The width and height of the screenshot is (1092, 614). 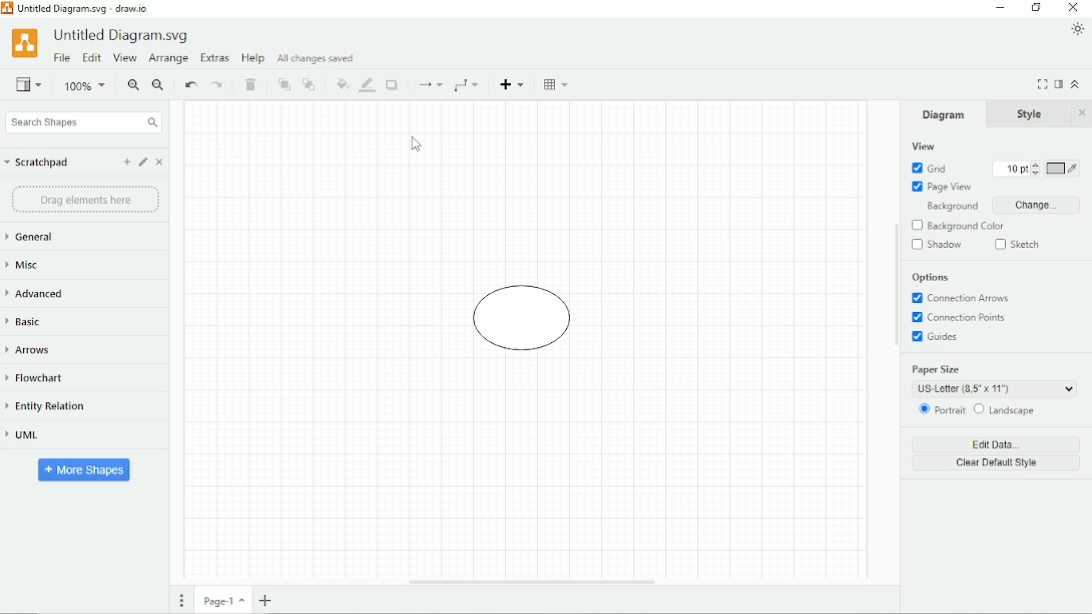 I want to click on Landscape, so click(x=1004, y=409).